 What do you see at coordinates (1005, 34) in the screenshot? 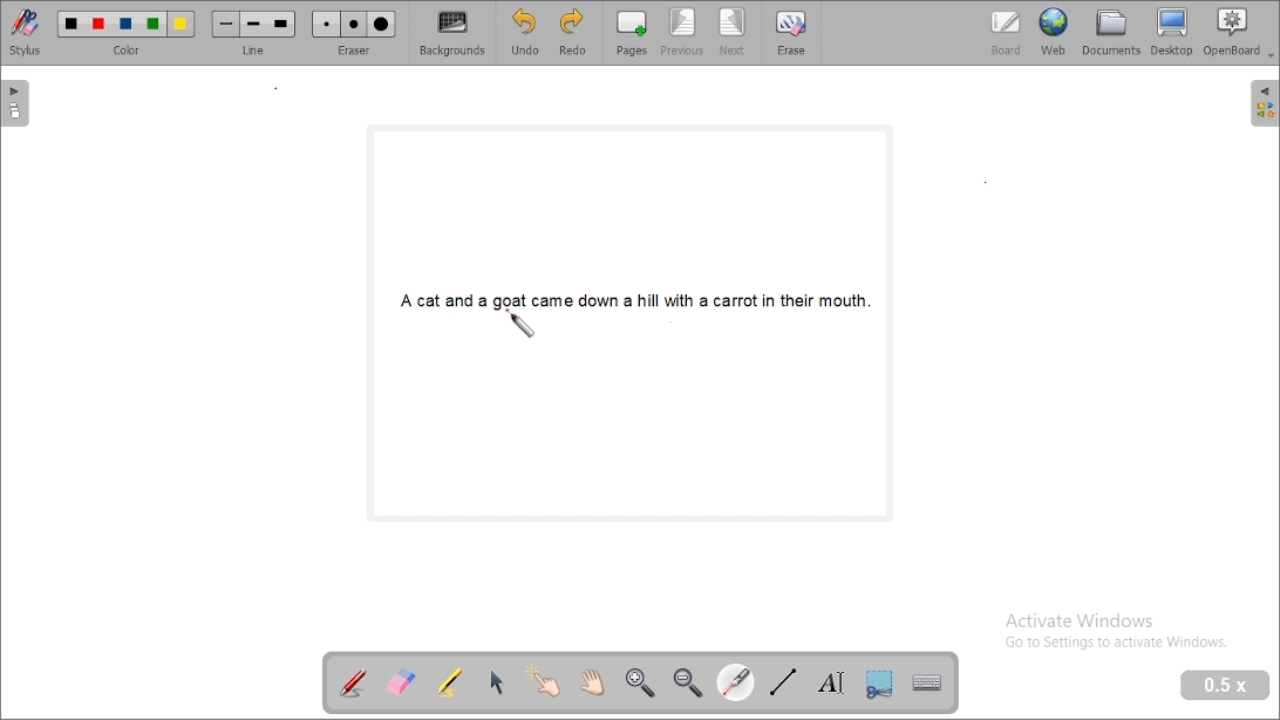
I see `board` at bounding box center [1005, 34].